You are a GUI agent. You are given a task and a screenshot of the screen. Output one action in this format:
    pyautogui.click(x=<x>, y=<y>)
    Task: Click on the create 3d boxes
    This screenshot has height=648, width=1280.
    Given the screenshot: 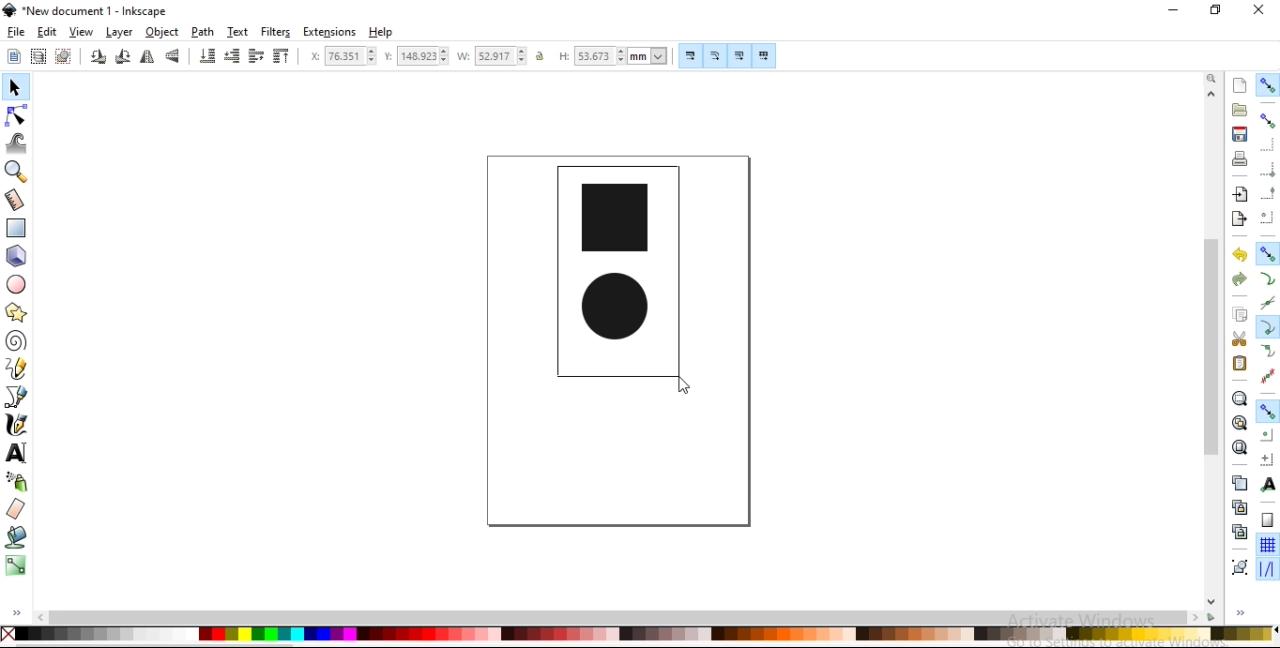 What is the action you would take?
    pyautogui.click(x=18, y=257)
    